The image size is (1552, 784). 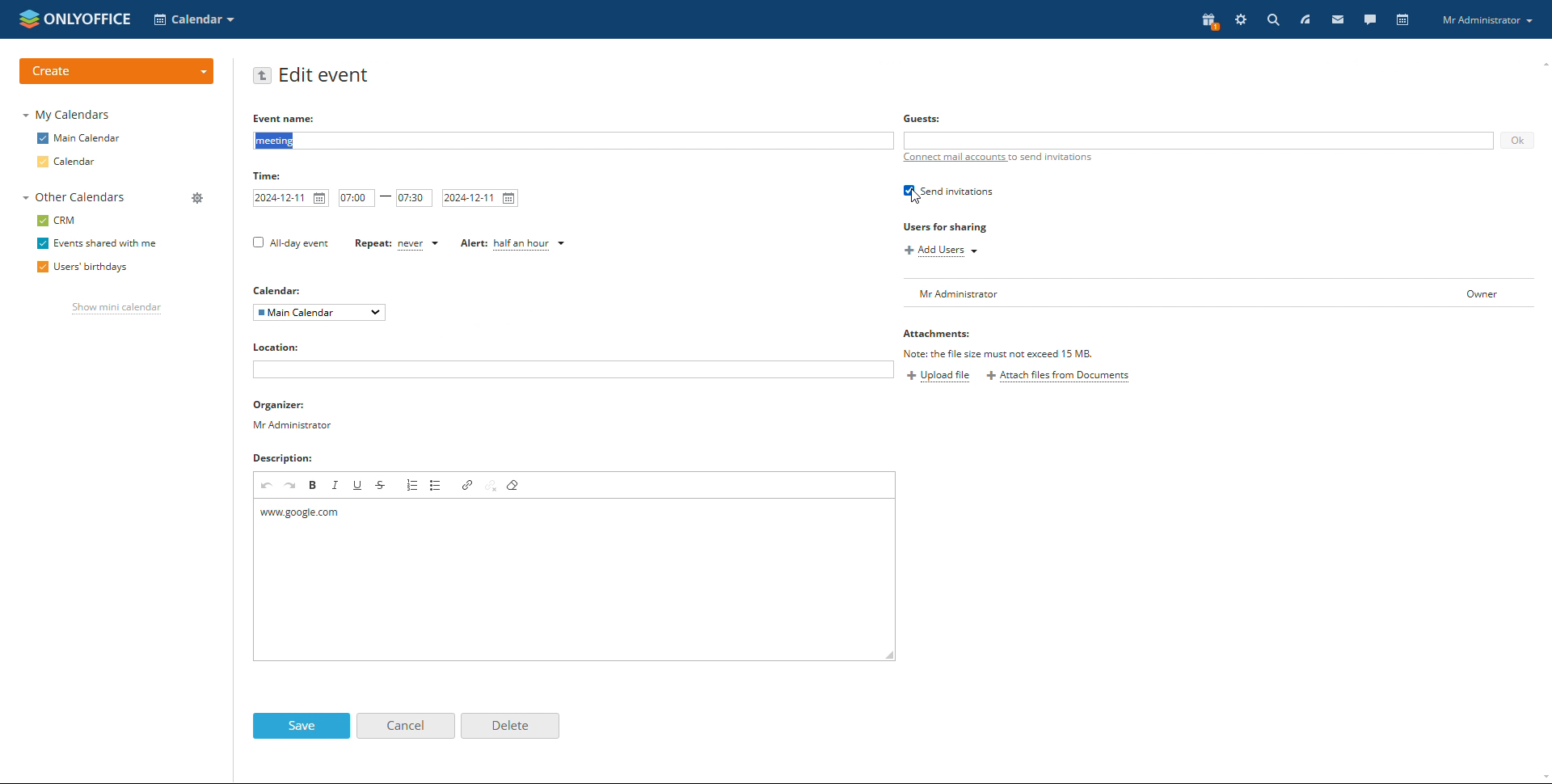 I want to click on bold, so click(x=314, y=486).